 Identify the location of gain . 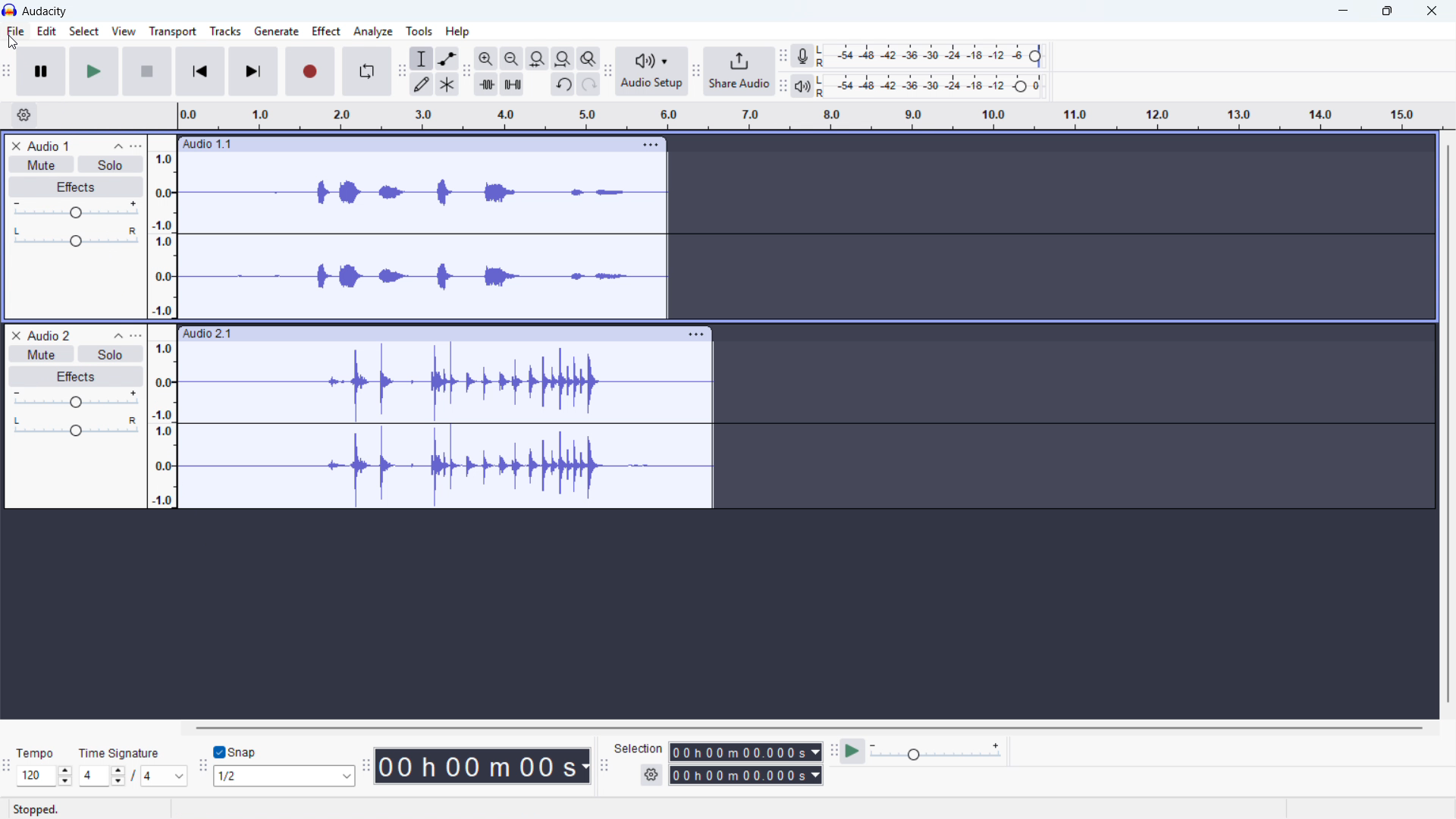
(76, 400).